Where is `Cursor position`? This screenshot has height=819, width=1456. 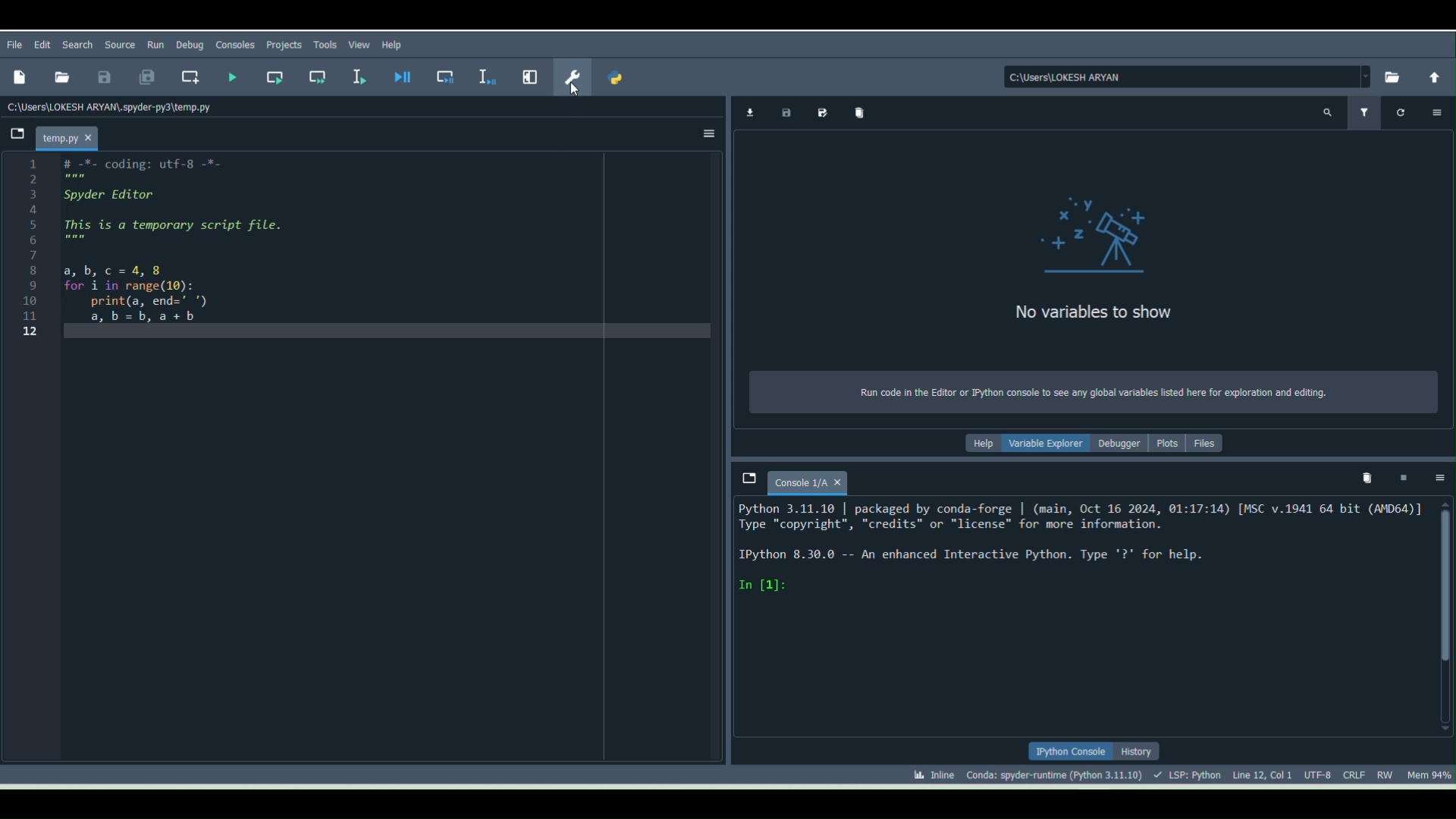
Cursor position is located at coordinates (1262, 773).